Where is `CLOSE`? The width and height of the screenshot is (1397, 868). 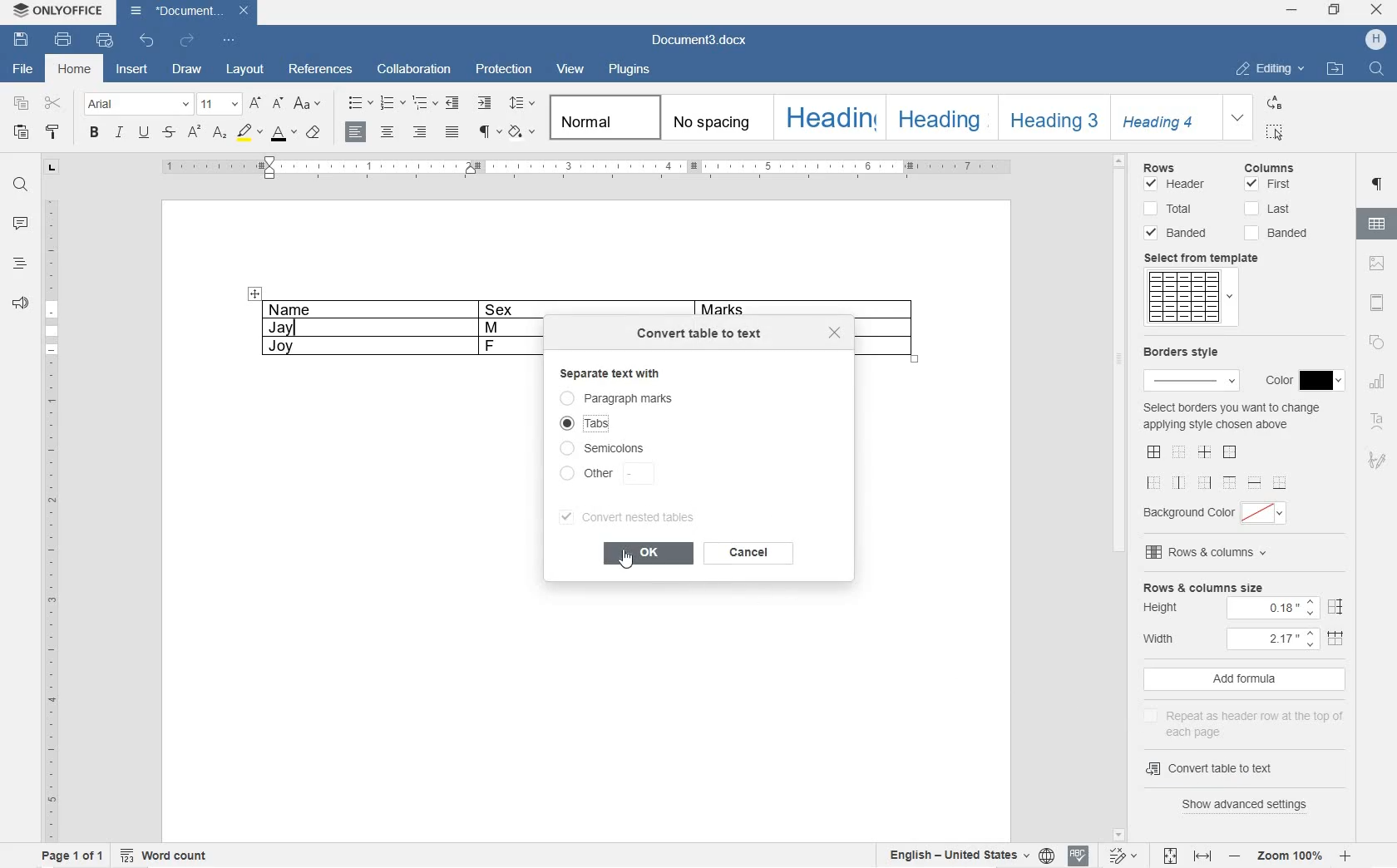
CLOSE is located at coordinates (1377, 9).